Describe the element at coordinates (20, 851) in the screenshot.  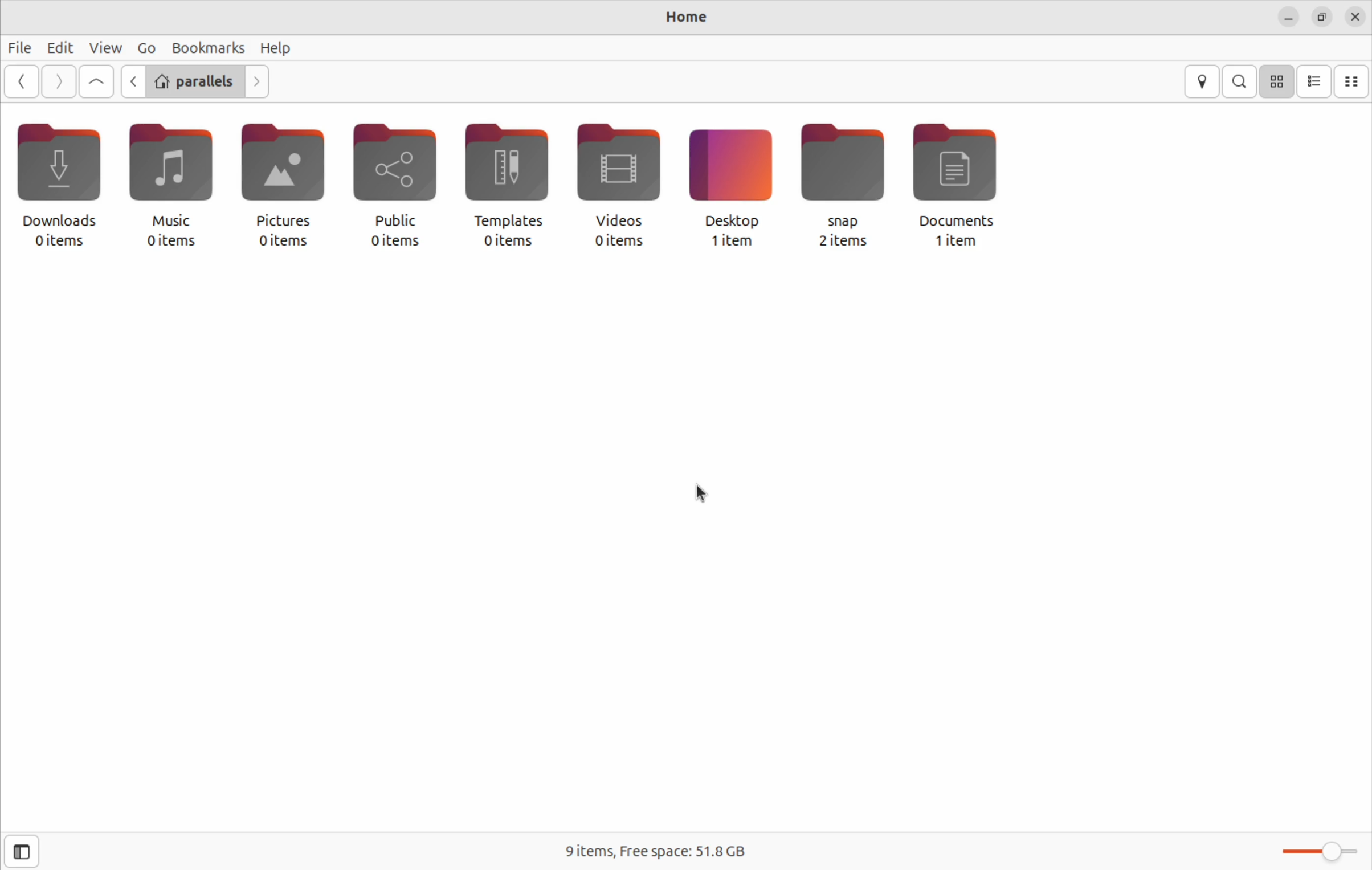
I see `Show side bar` at that location.